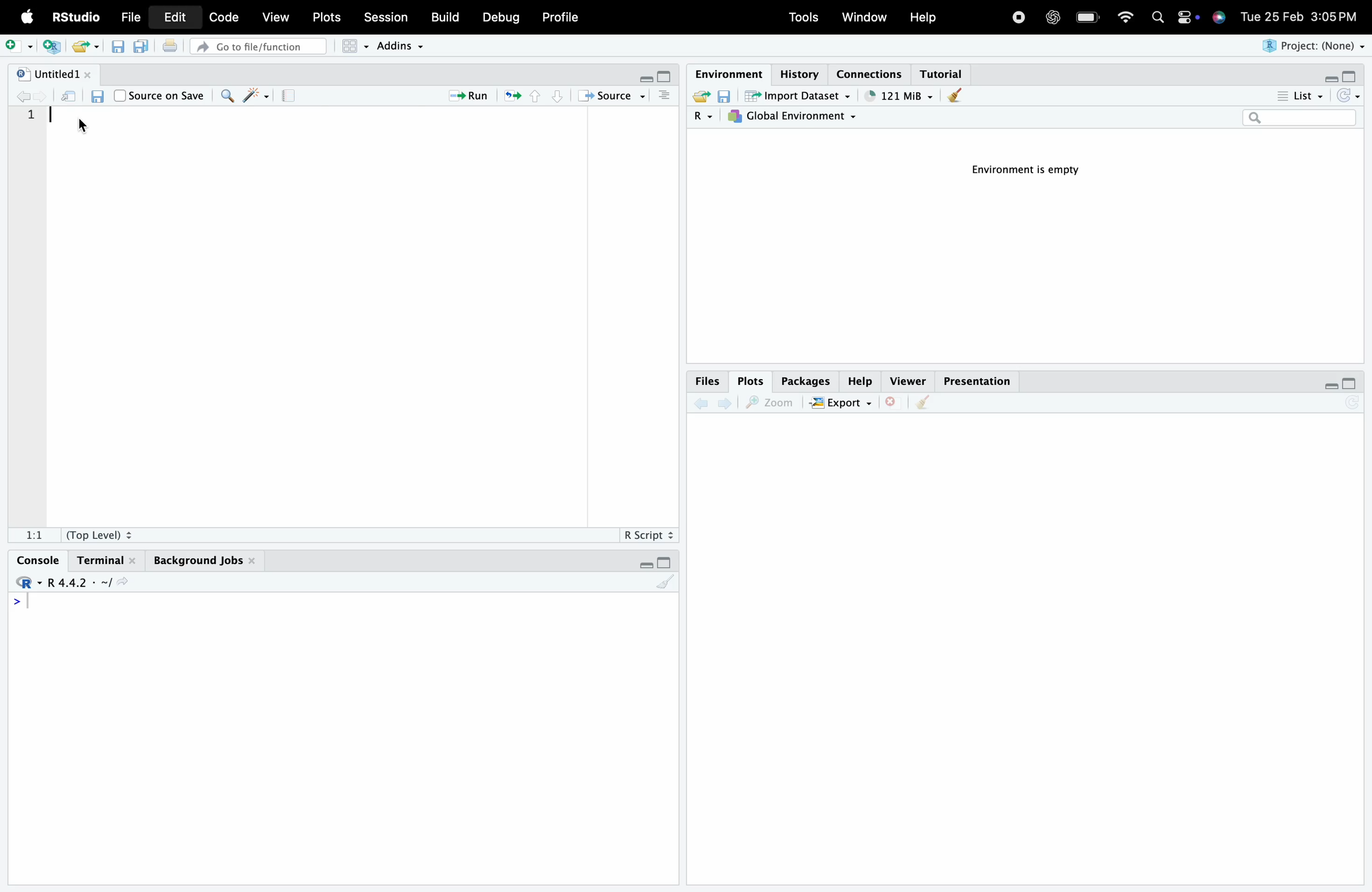 The height and width of the screenshot is (892, 1372). What do you see at coordinates (700, 96) in the screenshot?
I see `Load workspace` at bounding box center [700, 96].